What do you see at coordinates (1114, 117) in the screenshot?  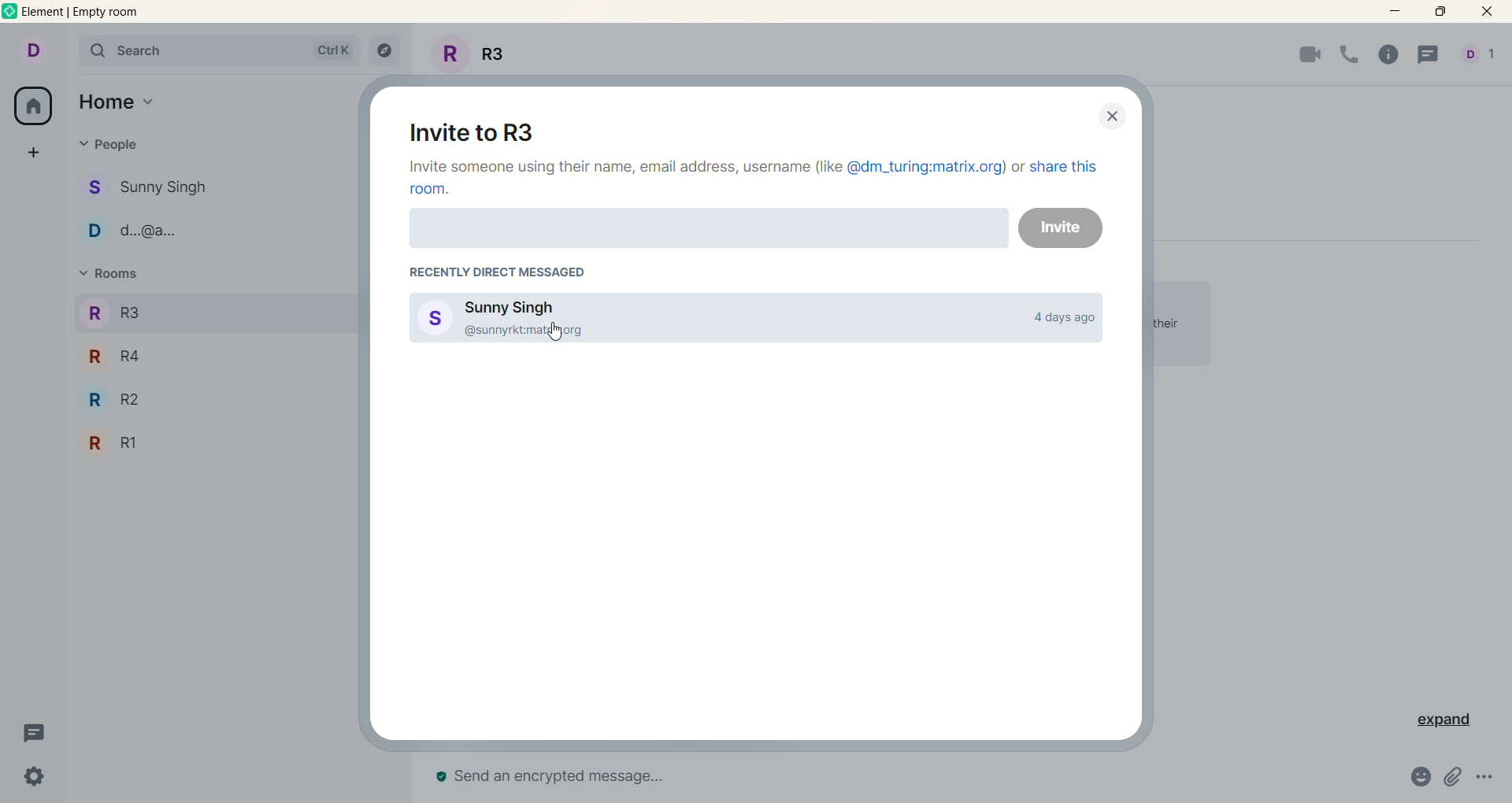 I see `close` at bounding box center [1114, 117].